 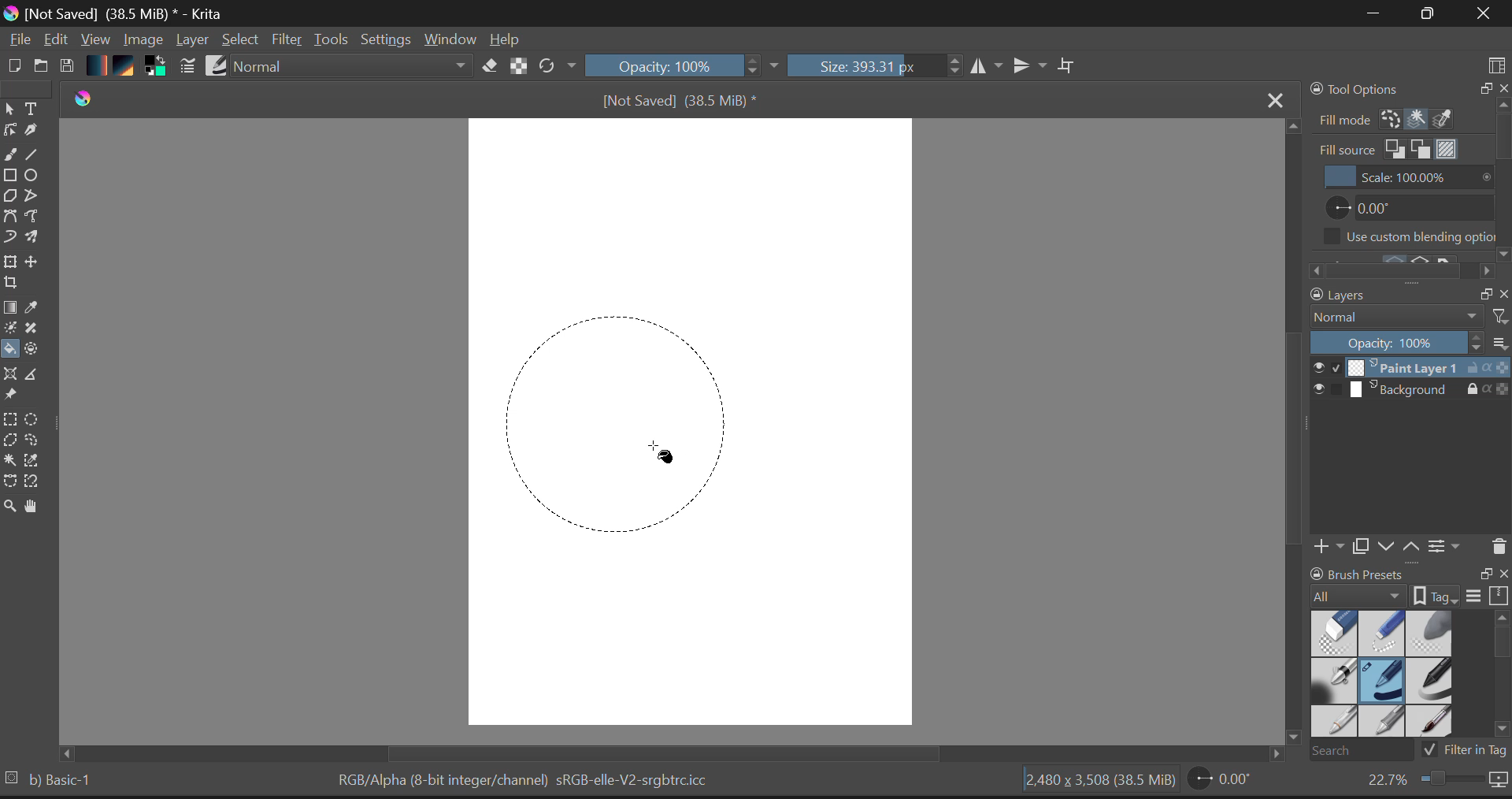 I want to click on Fill Source: Foreground Color, so click(x=1397, y=150).